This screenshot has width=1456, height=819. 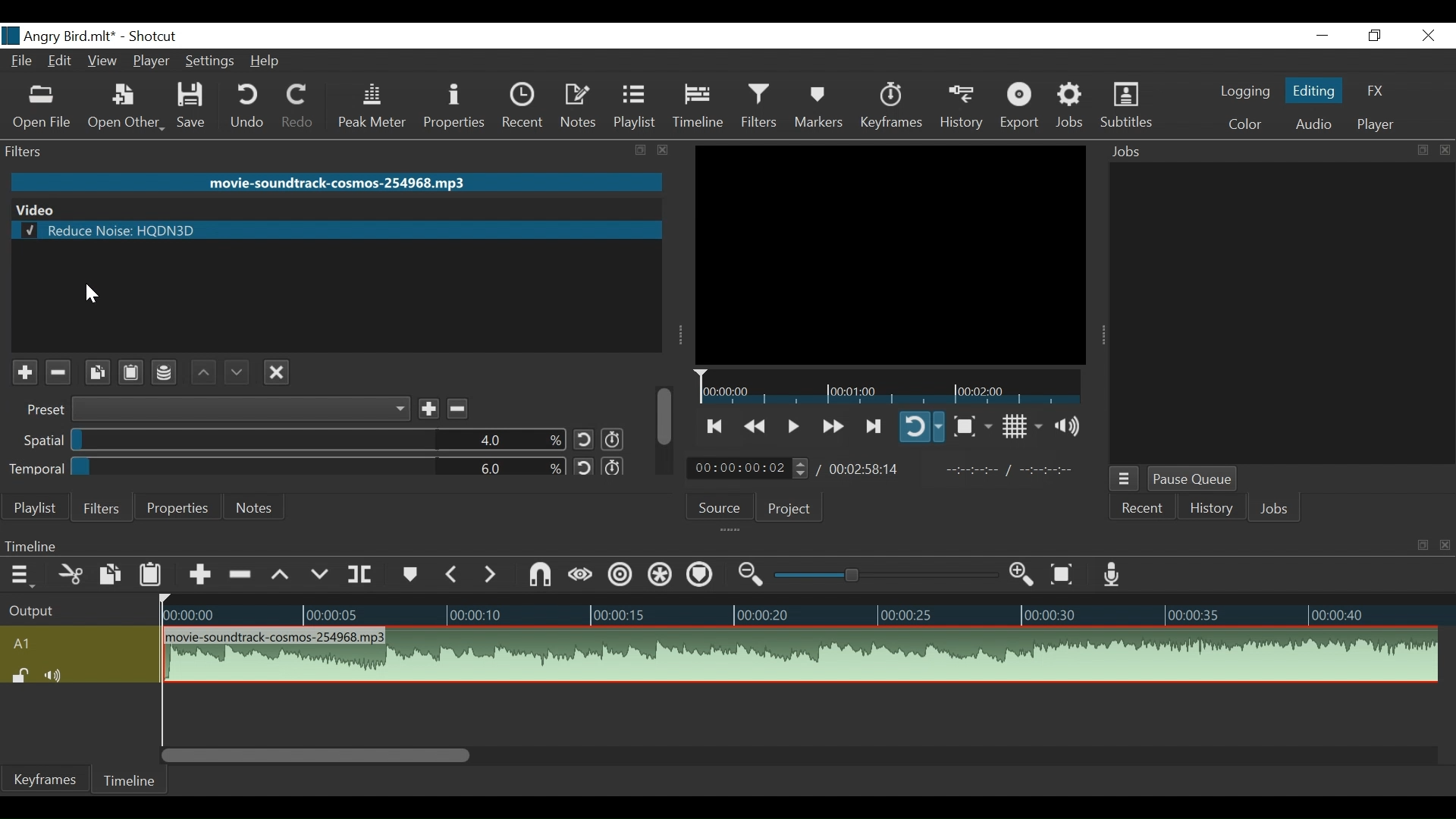 I want to click on Edit, so click(x=61, y=63).